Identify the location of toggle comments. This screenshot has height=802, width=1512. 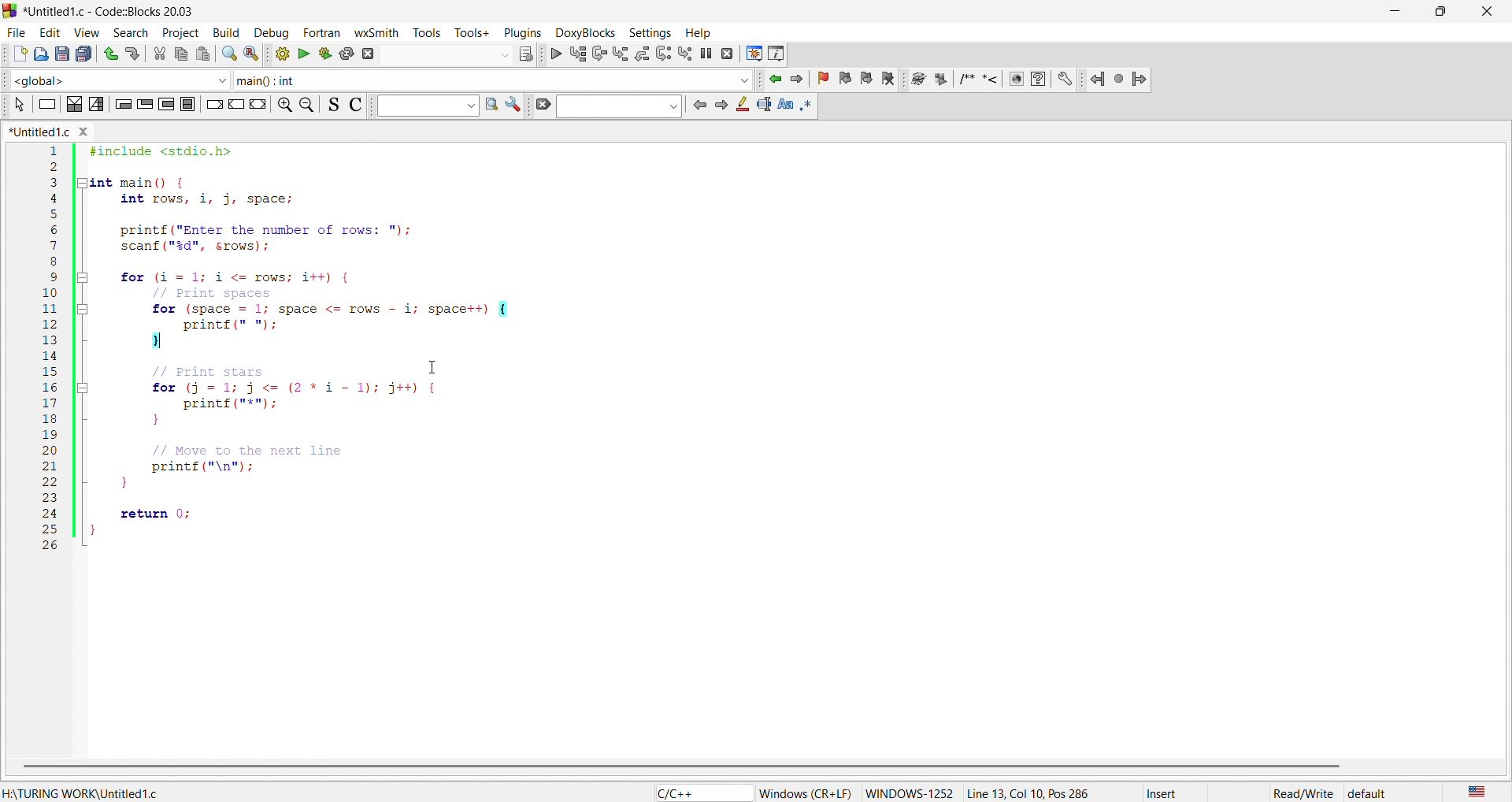
(356, 105).